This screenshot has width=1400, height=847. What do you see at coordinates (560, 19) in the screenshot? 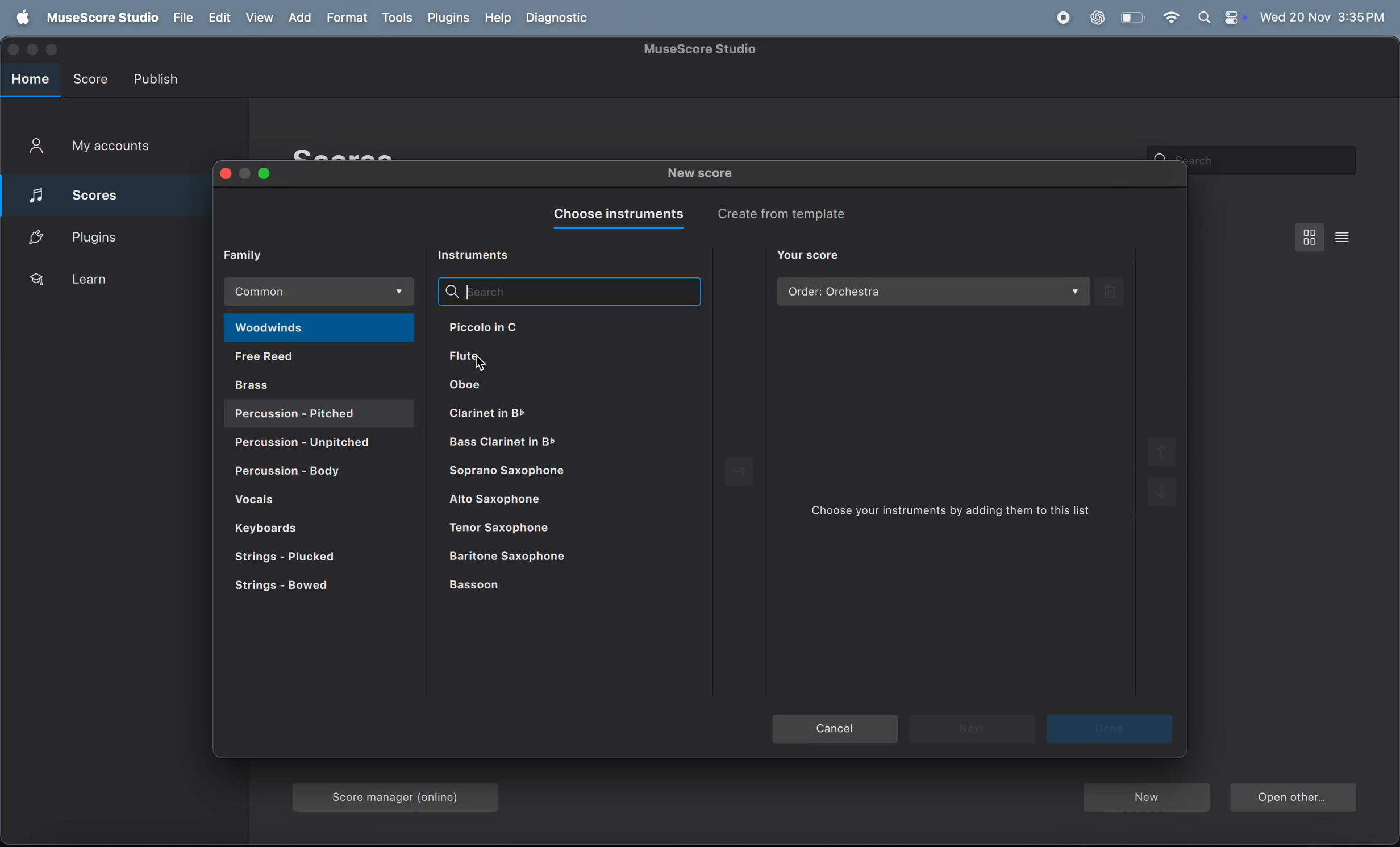
I see `diagnostics` at bounding box center [560, 19].